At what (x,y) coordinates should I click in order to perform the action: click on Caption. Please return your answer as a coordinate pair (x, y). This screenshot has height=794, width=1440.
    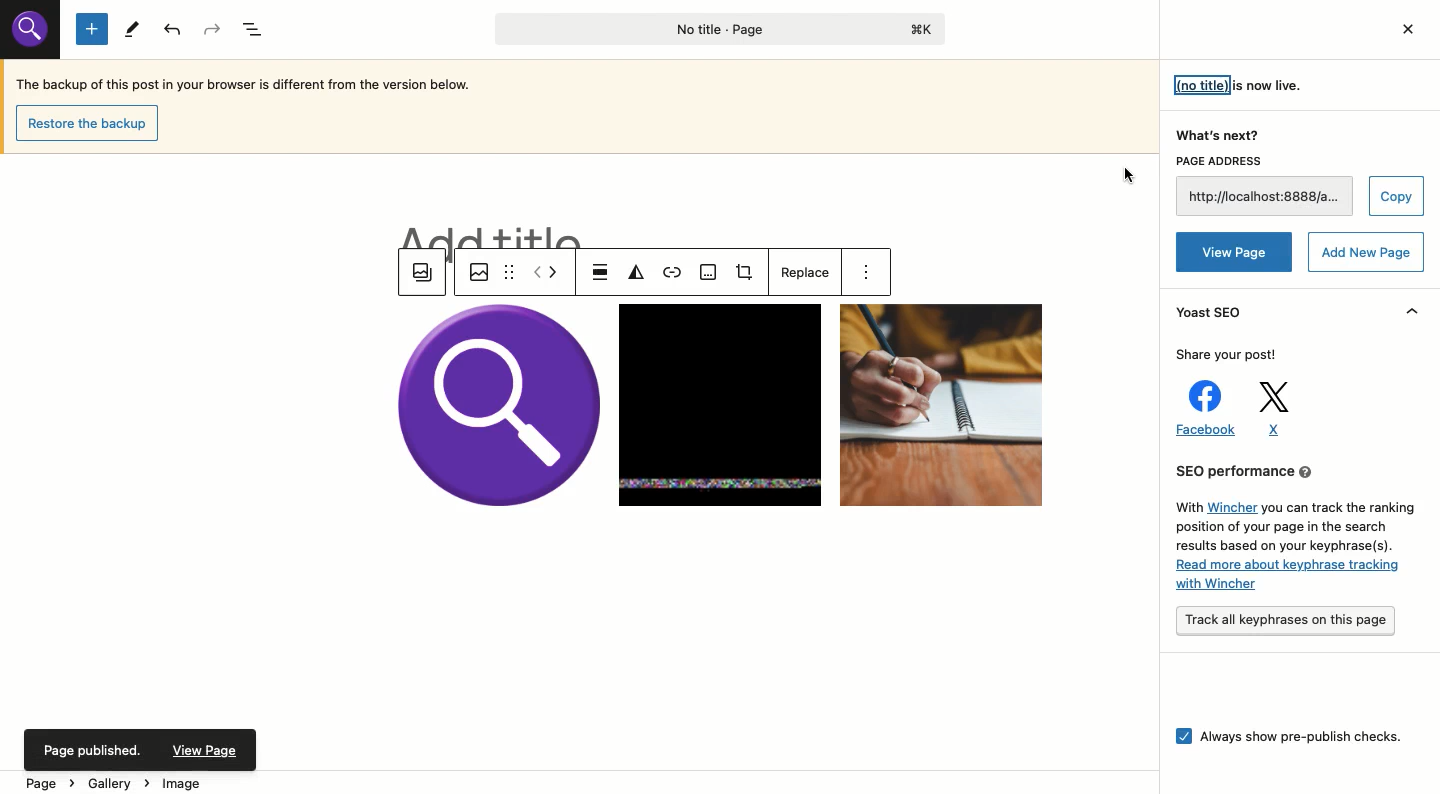
    Looking at the image, I should click on (709, 274).